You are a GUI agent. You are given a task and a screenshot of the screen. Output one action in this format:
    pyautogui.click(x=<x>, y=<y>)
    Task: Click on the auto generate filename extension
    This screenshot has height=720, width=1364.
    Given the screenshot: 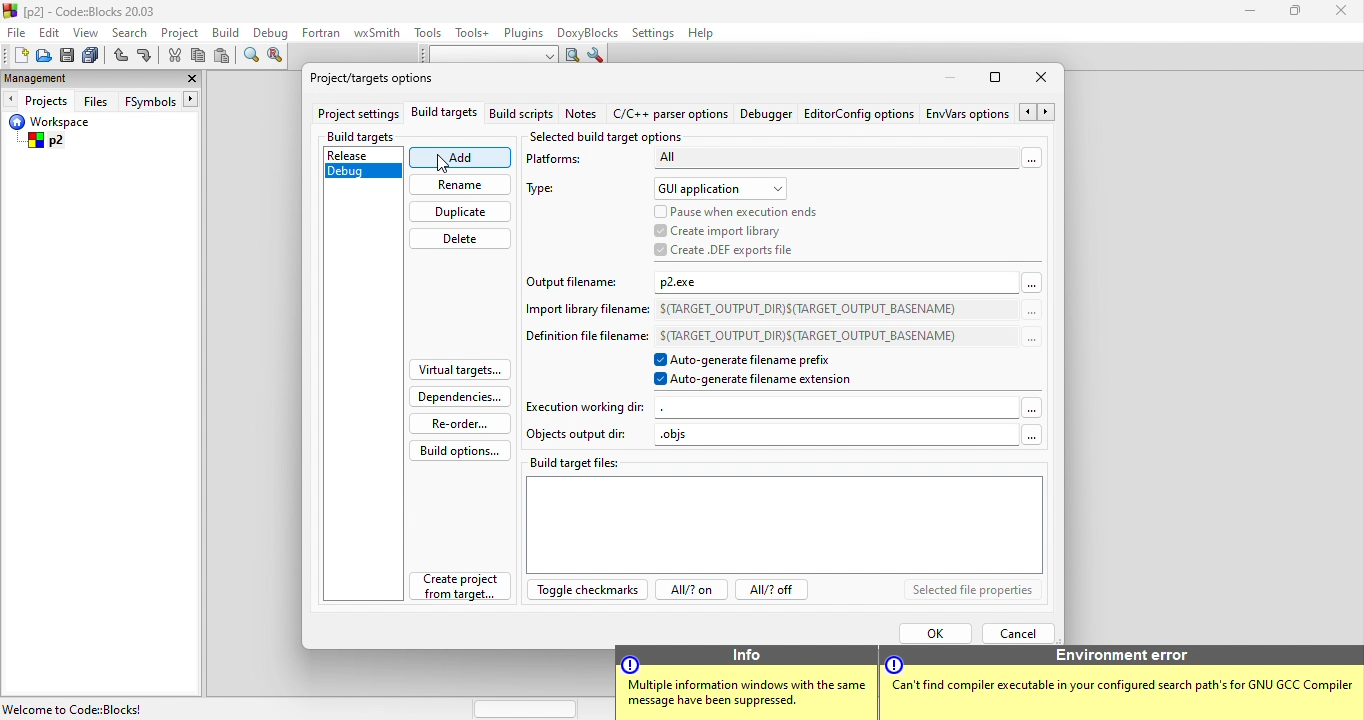 What is the action you would take?
    pyautogui.click(x=756, y=382)
    